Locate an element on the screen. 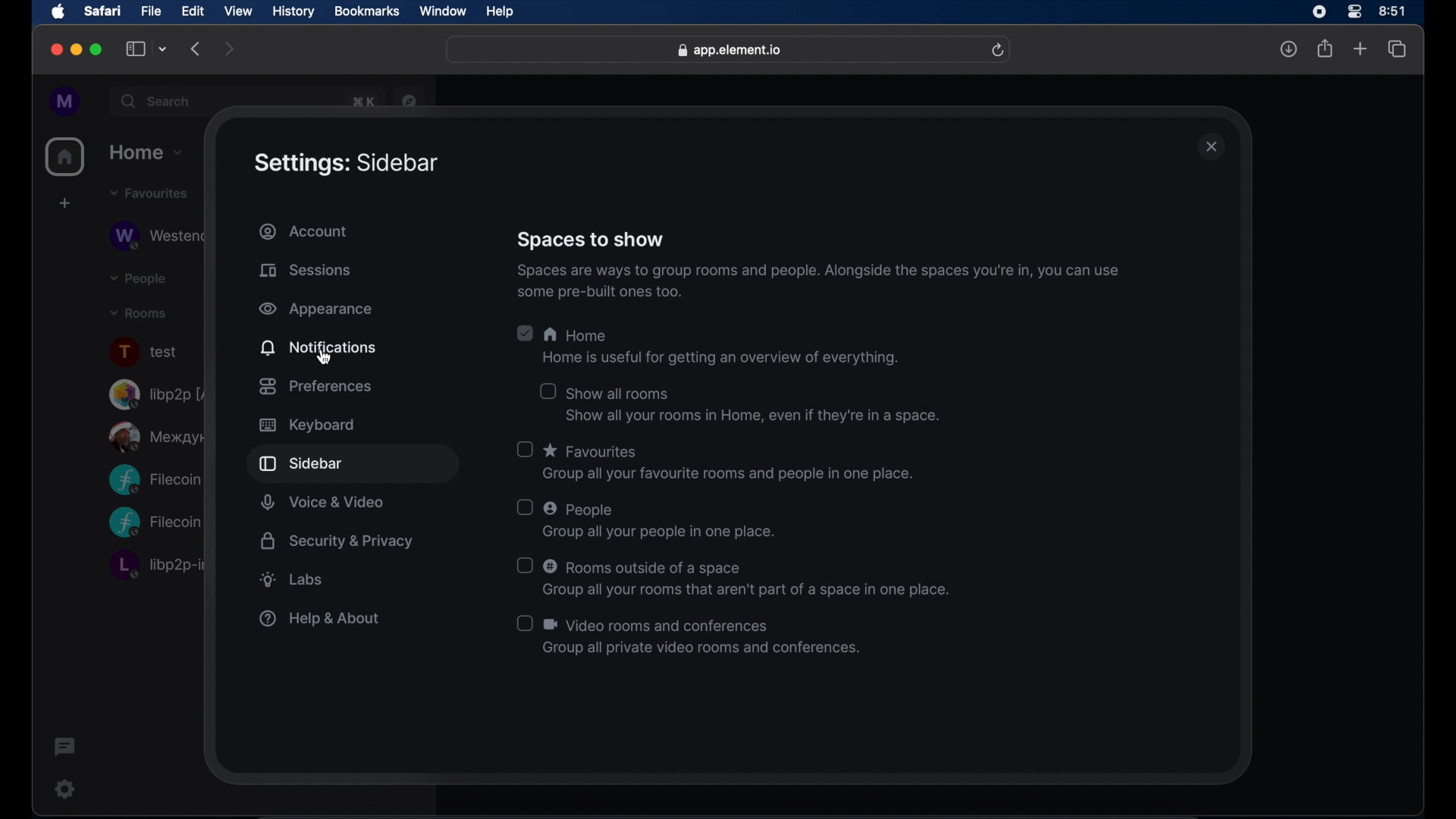 The height and width of the screenshot is (819, 1456). help is located at coordinates (500, 13).